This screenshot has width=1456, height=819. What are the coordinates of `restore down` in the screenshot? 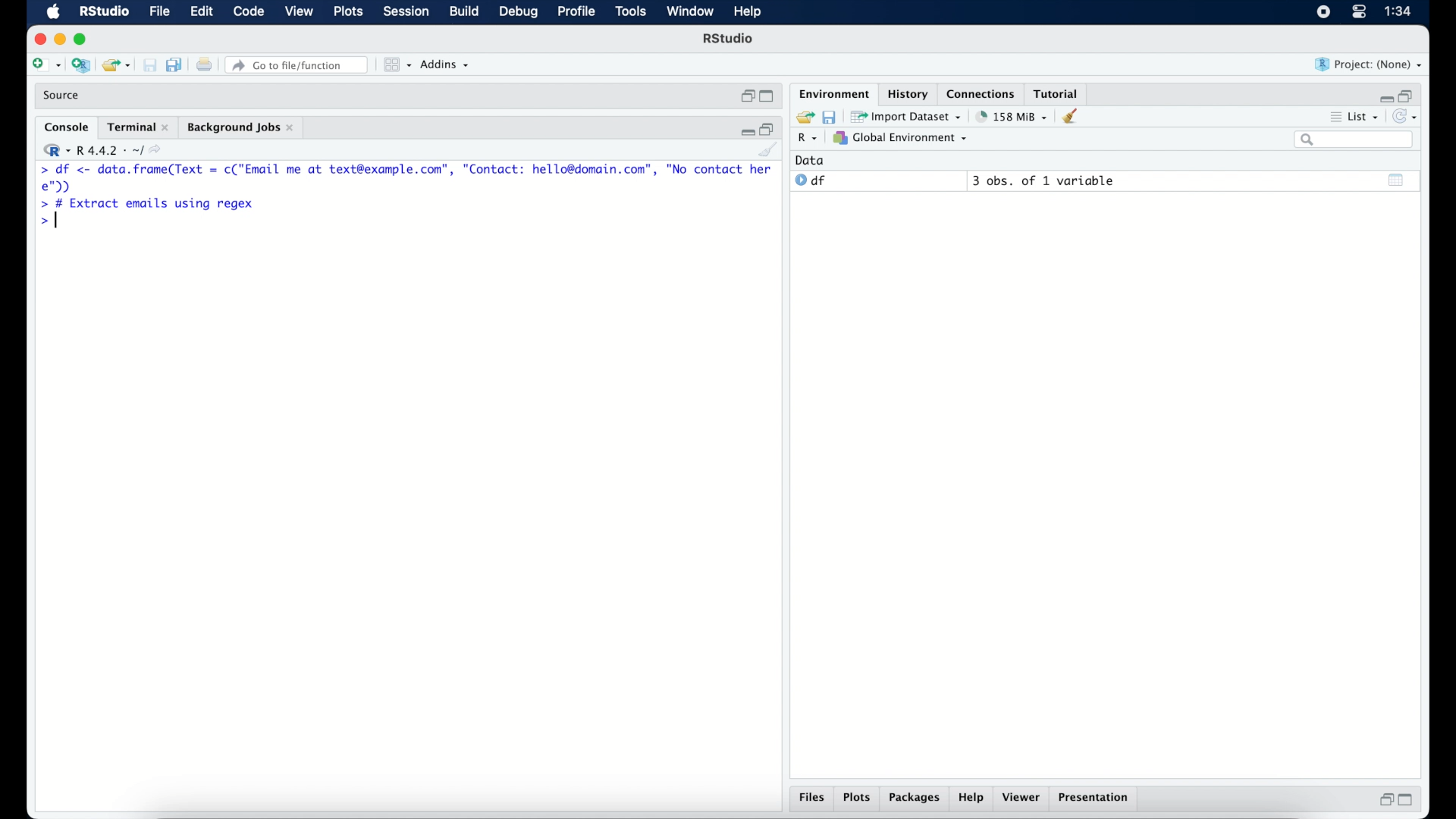 It's located at (1385, 802).